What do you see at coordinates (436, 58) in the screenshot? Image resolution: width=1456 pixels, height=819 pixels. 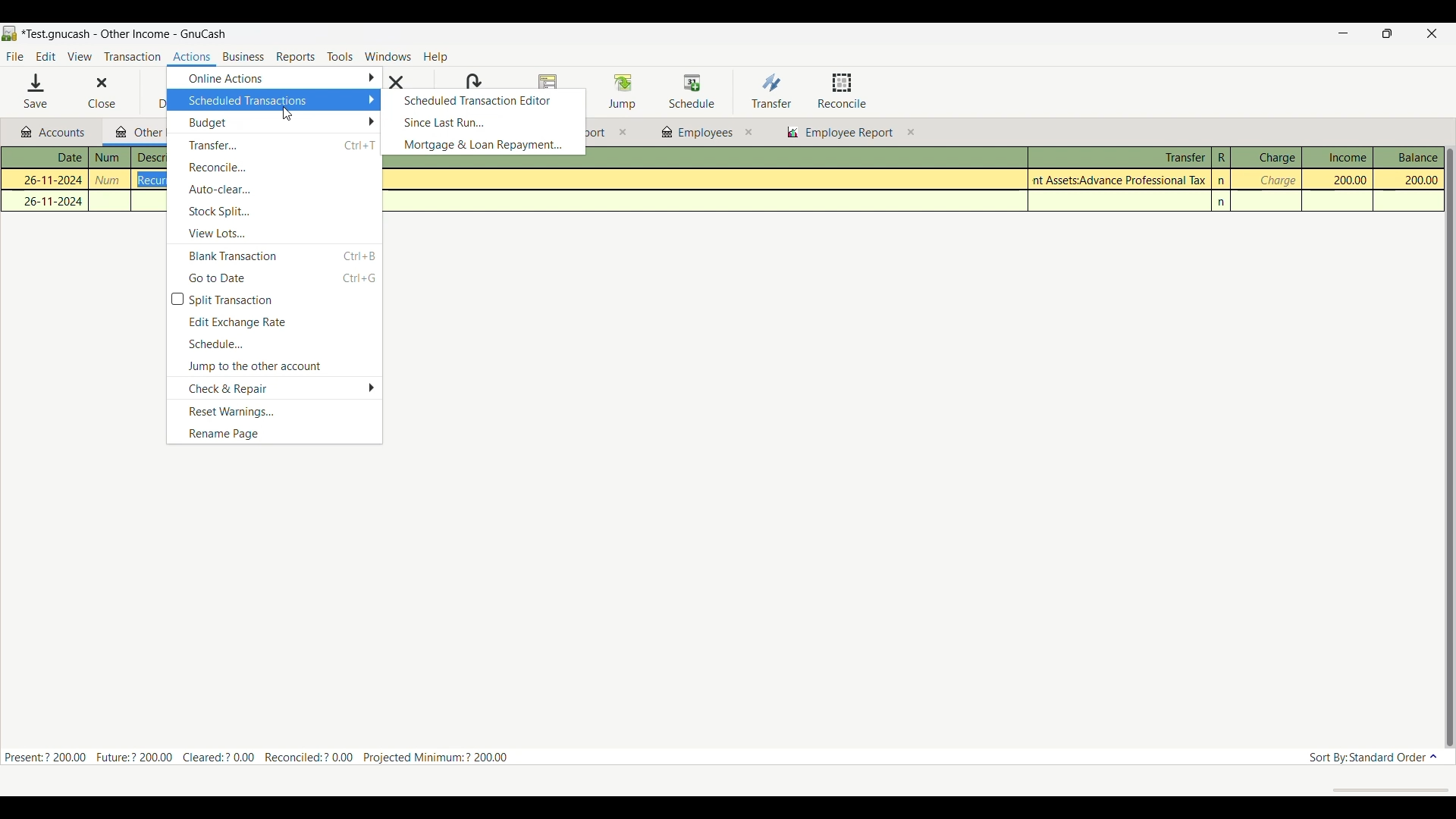 I see `Help menu` at bounding box center [436, 58].